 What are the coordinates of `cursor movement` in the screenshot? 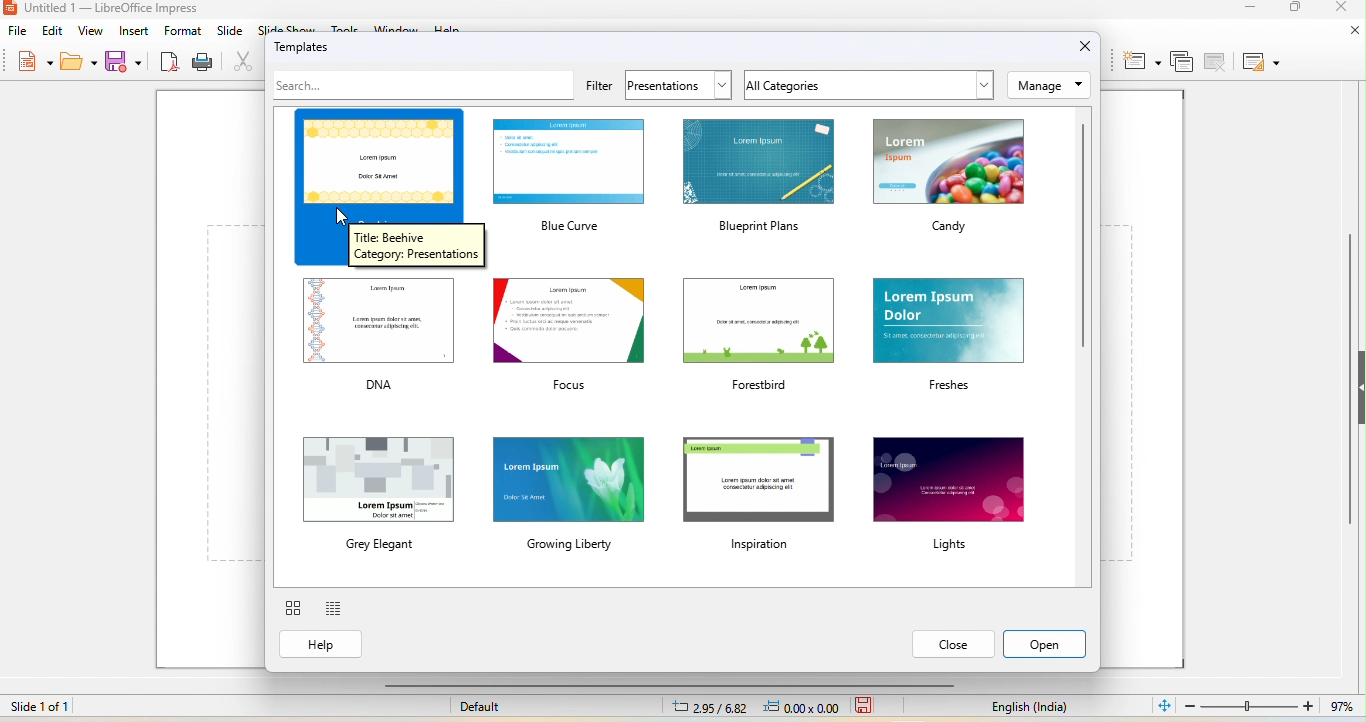 It's located at (341, 216).